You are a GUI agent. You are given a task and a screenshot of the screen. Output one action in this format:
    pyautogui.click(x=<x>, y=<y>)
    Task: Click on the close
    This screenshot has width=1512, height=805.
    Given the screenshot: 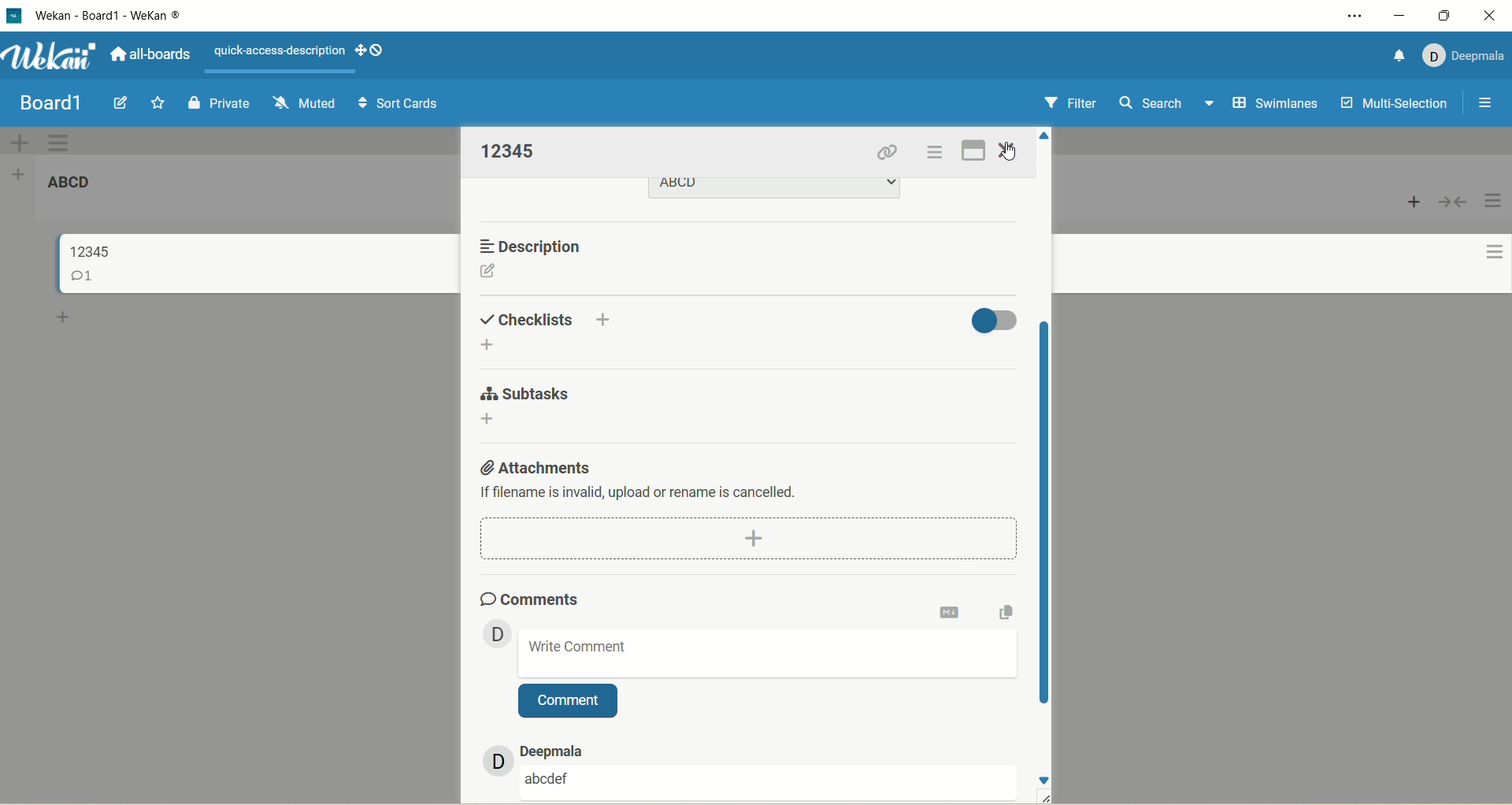 What is the action you would take?
    pyautogui.click(x=1490, y=15)
    